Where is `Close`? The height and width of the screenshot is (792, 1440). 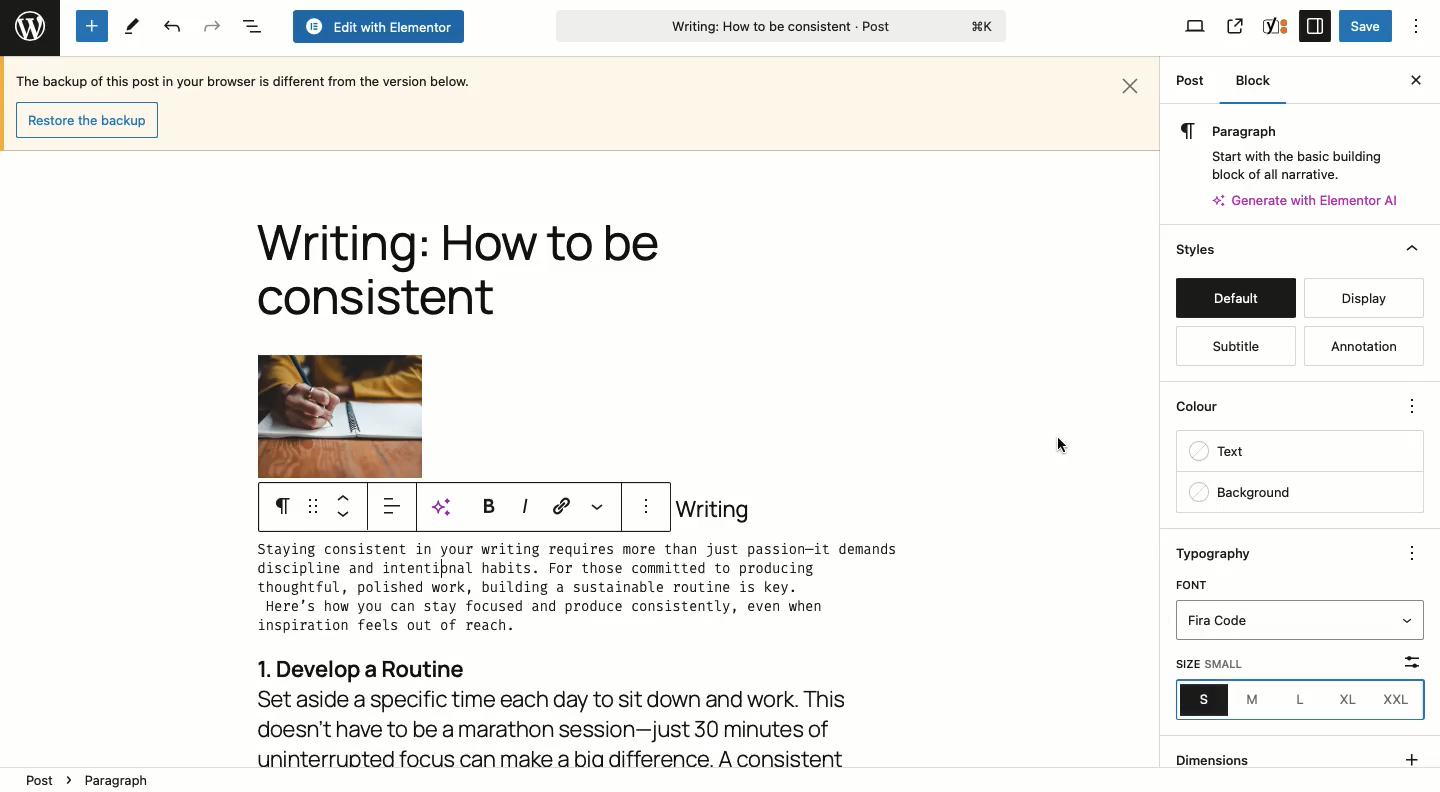 Close is located at coordinates (1412, 80).